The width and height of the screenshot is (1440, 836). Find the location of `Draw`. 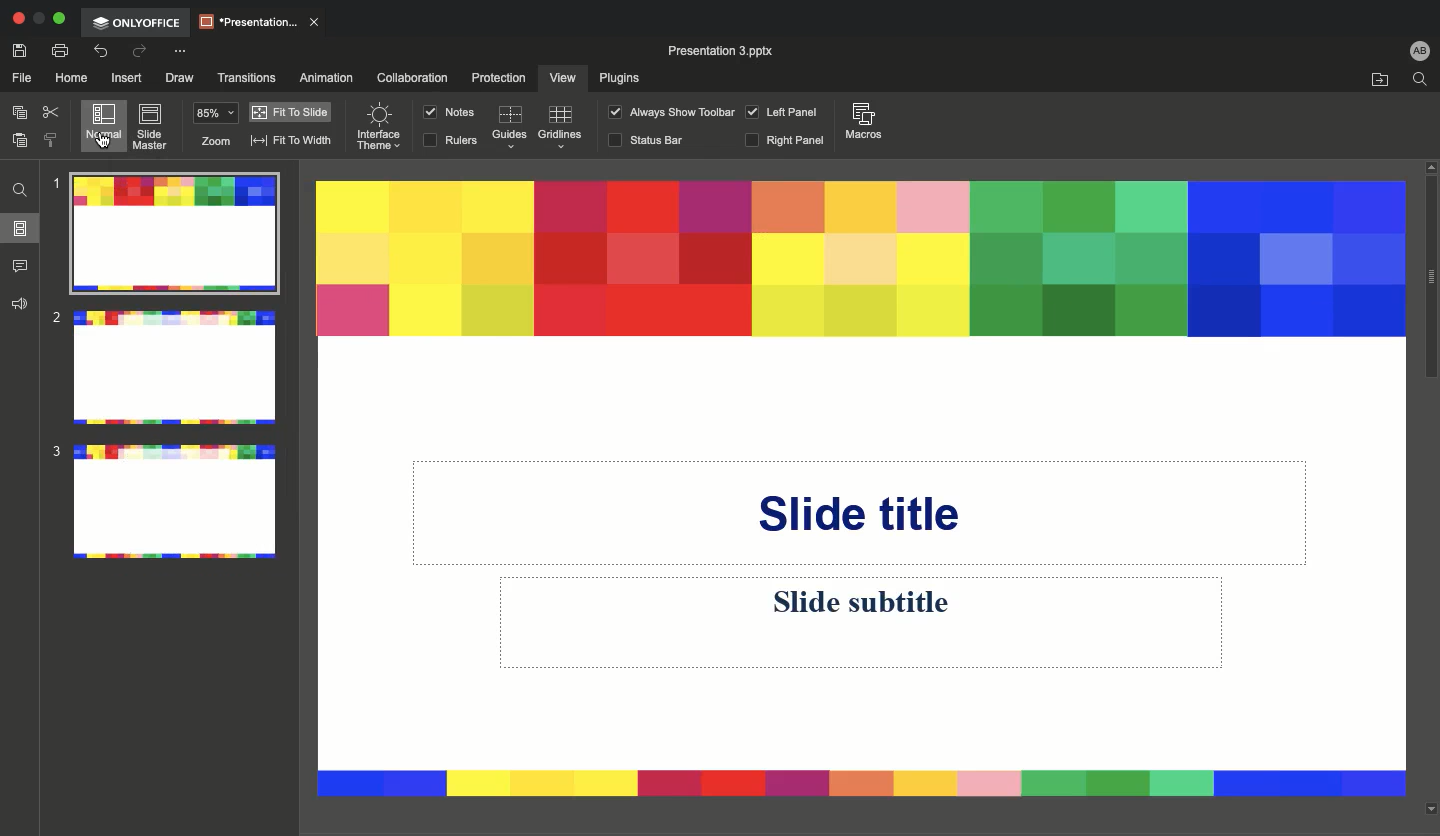

Draw is located at coordinates (179, 76).